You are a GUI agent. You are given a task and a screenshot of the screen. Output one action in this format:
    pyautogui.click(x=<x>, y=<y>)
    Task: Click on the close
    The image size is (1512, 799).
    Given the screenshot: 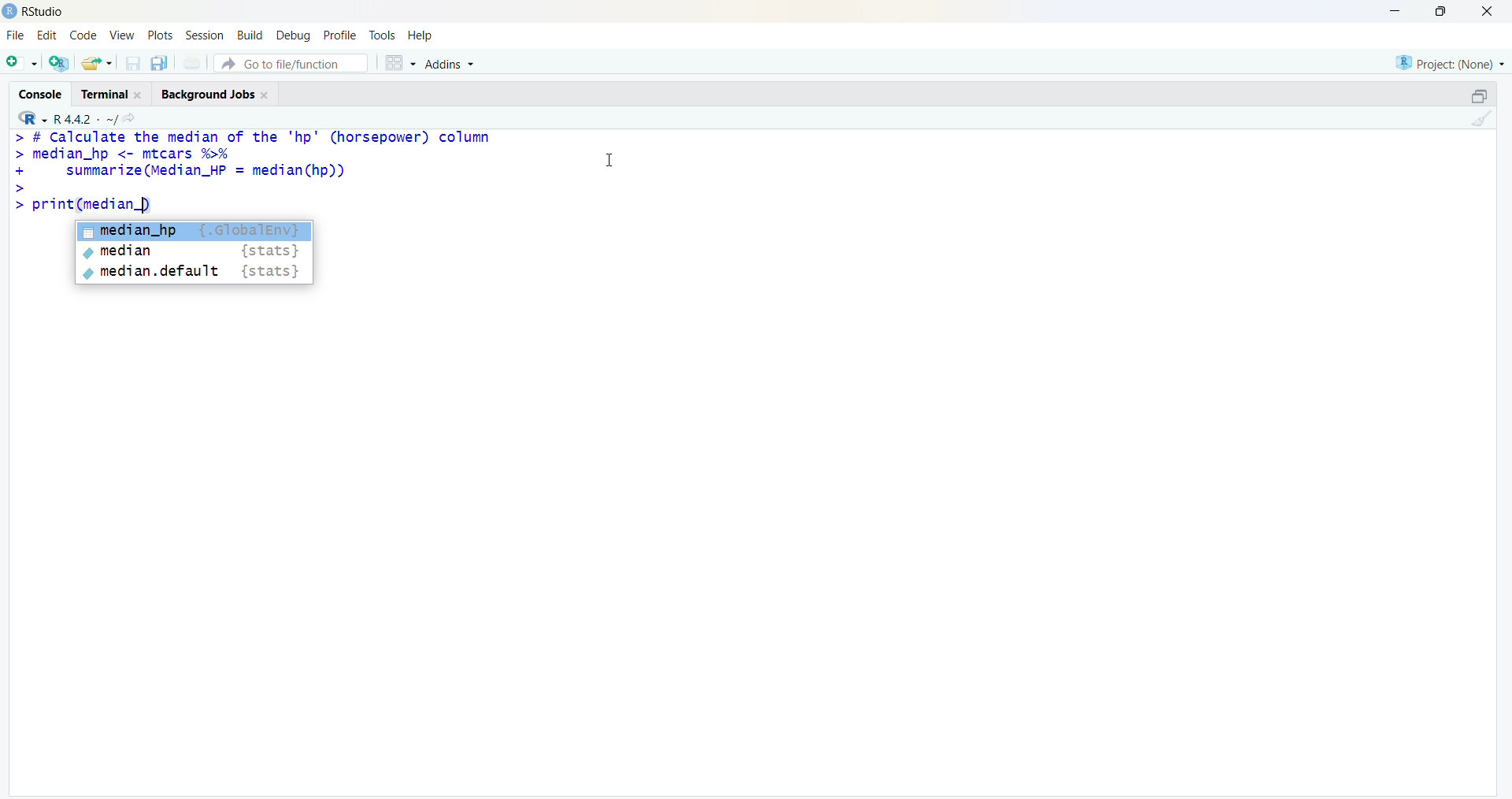 What is the action you would take?
    pyautogui.click(x=1488, y=10)
    